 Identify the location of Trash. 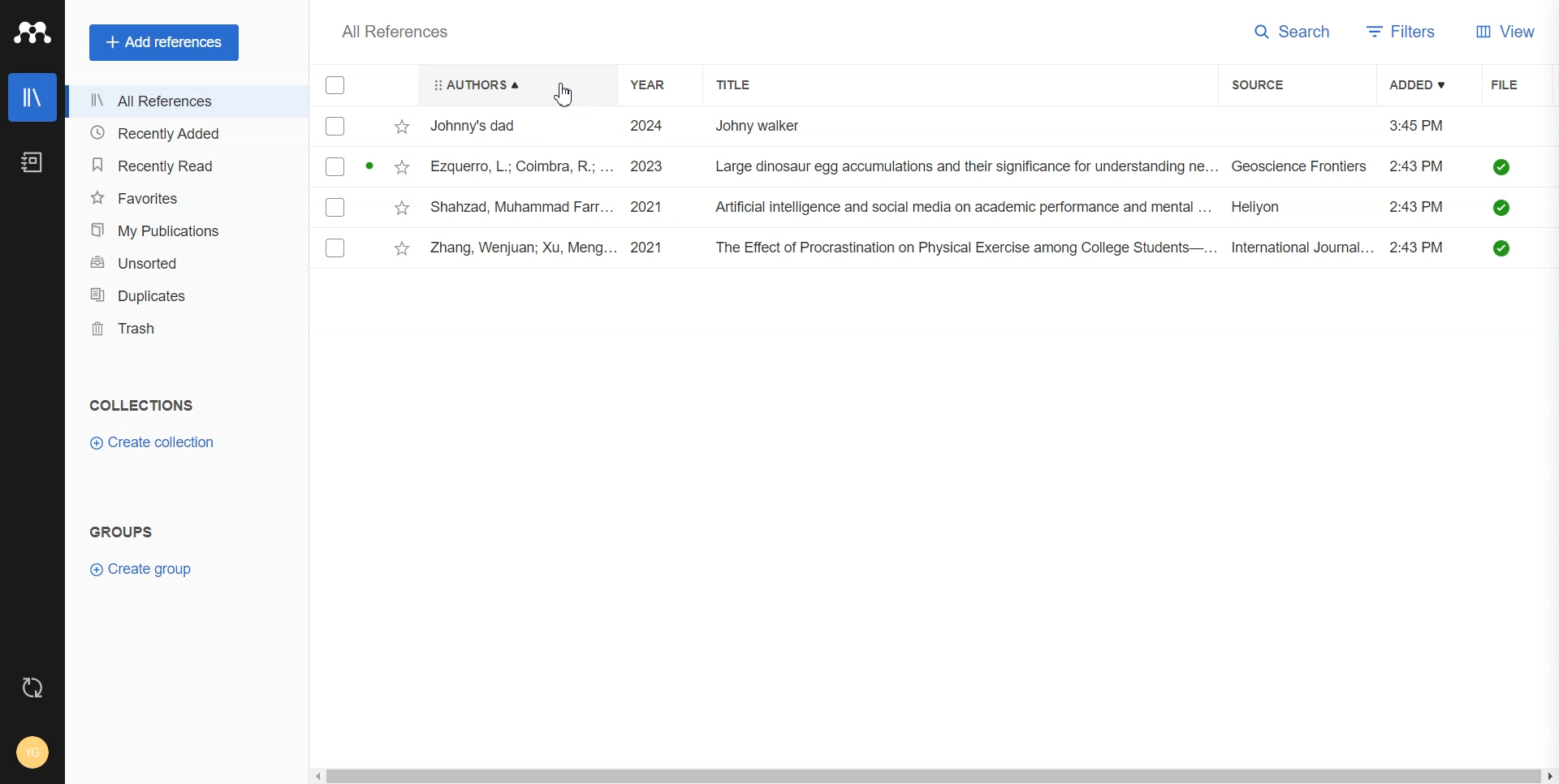
(180, 328).